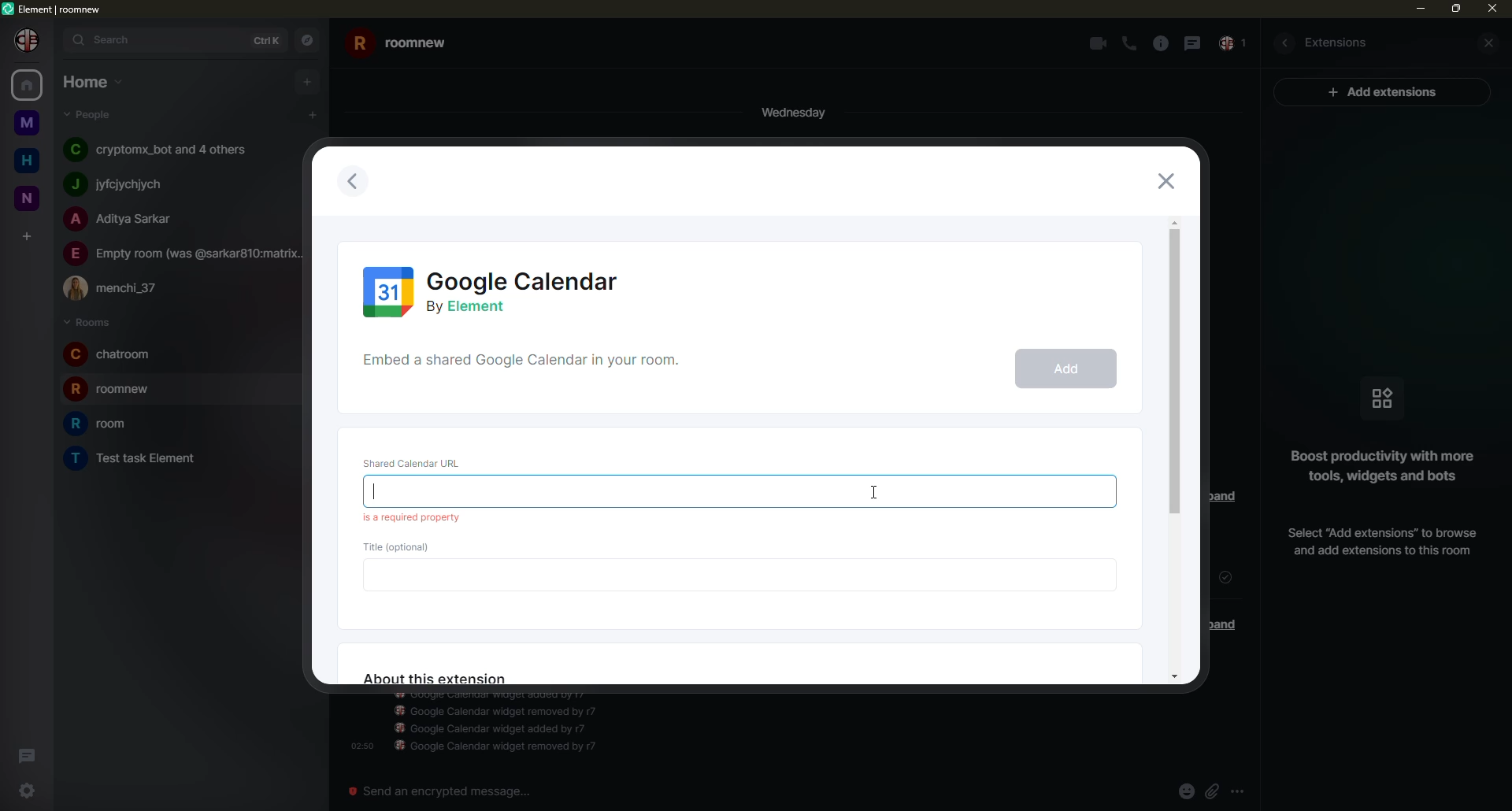 The height and width of the screenshot is (811, 1512). Describe the element at coordinates (445, 492) in the screenshot. I see `type` at that location.